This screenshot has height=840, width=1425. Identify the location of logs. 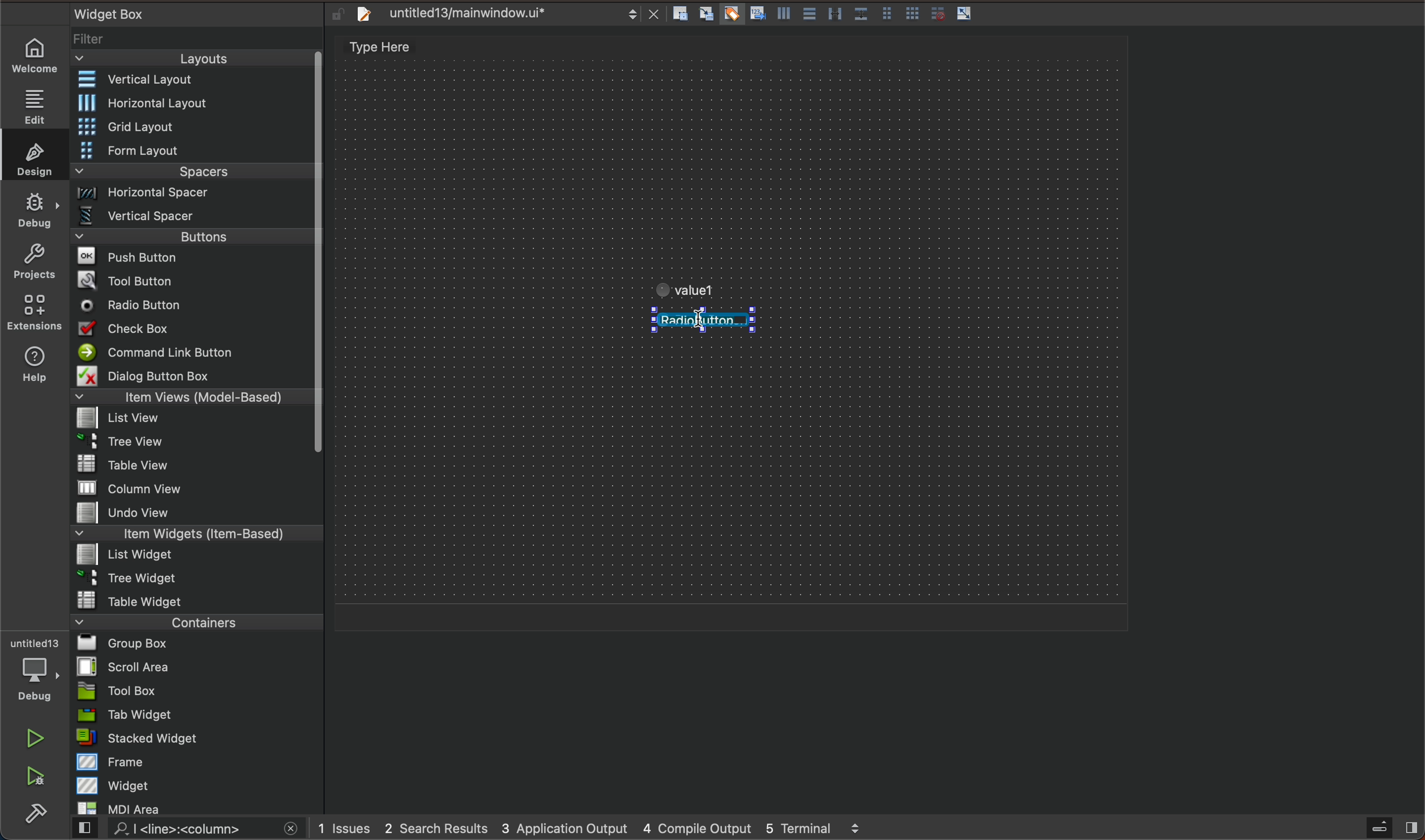
(604, 828).